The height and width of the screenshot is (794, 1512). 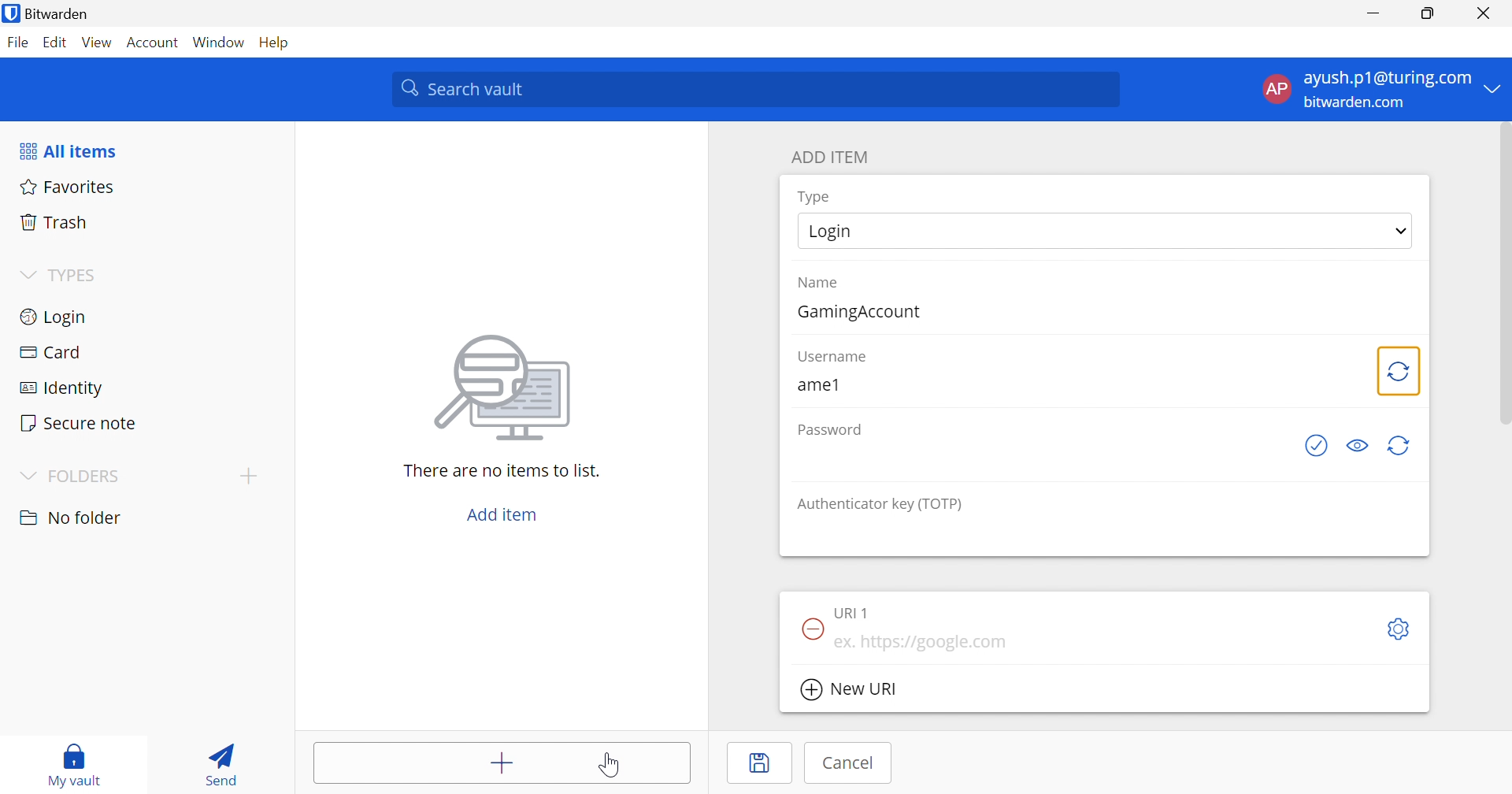 What do you see at coordinates (18, 43) in the screenshot?
I see `File` at bounding box center [18, 43].